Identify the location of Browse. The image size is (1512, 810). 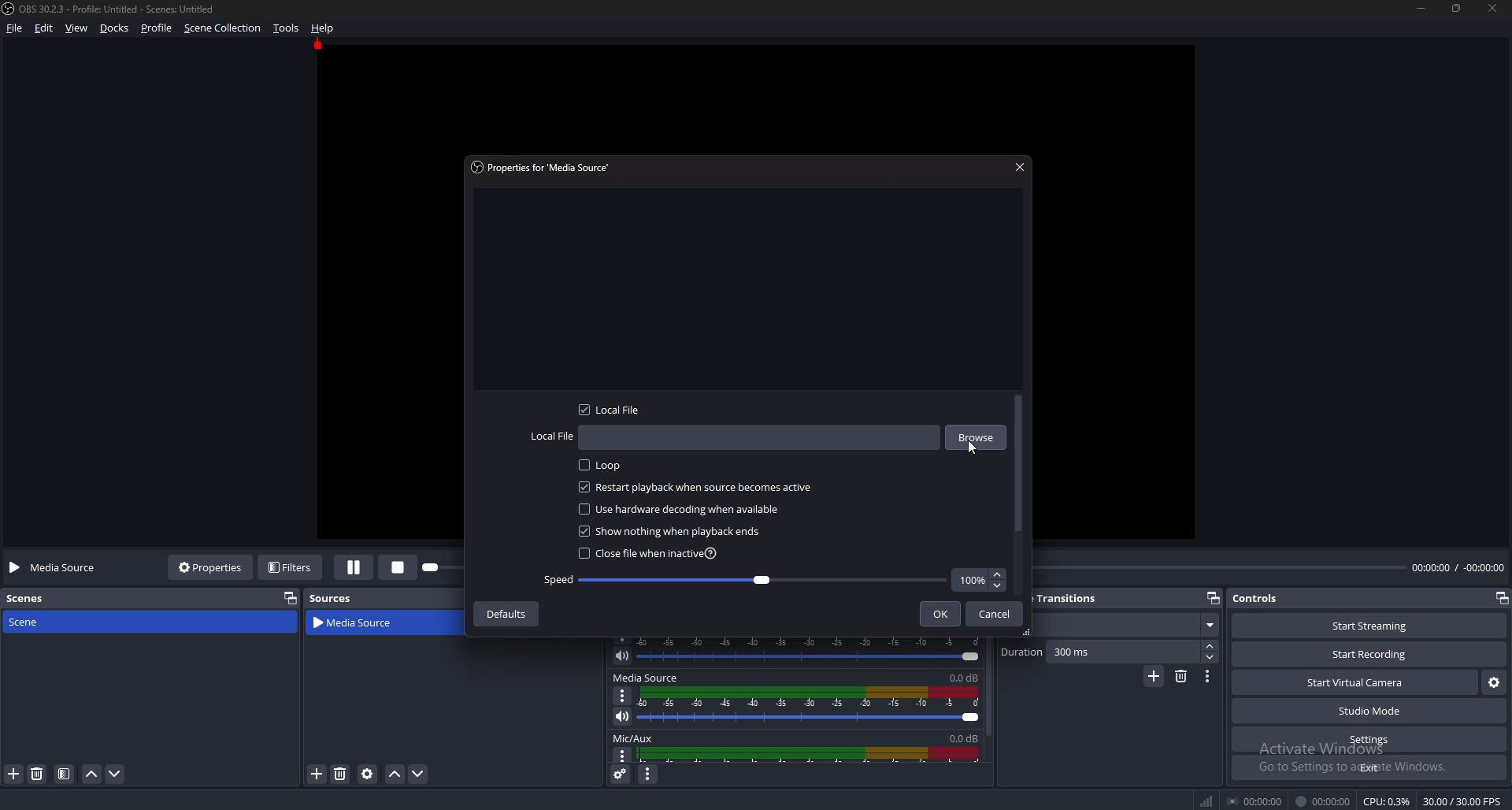
(976, 435).